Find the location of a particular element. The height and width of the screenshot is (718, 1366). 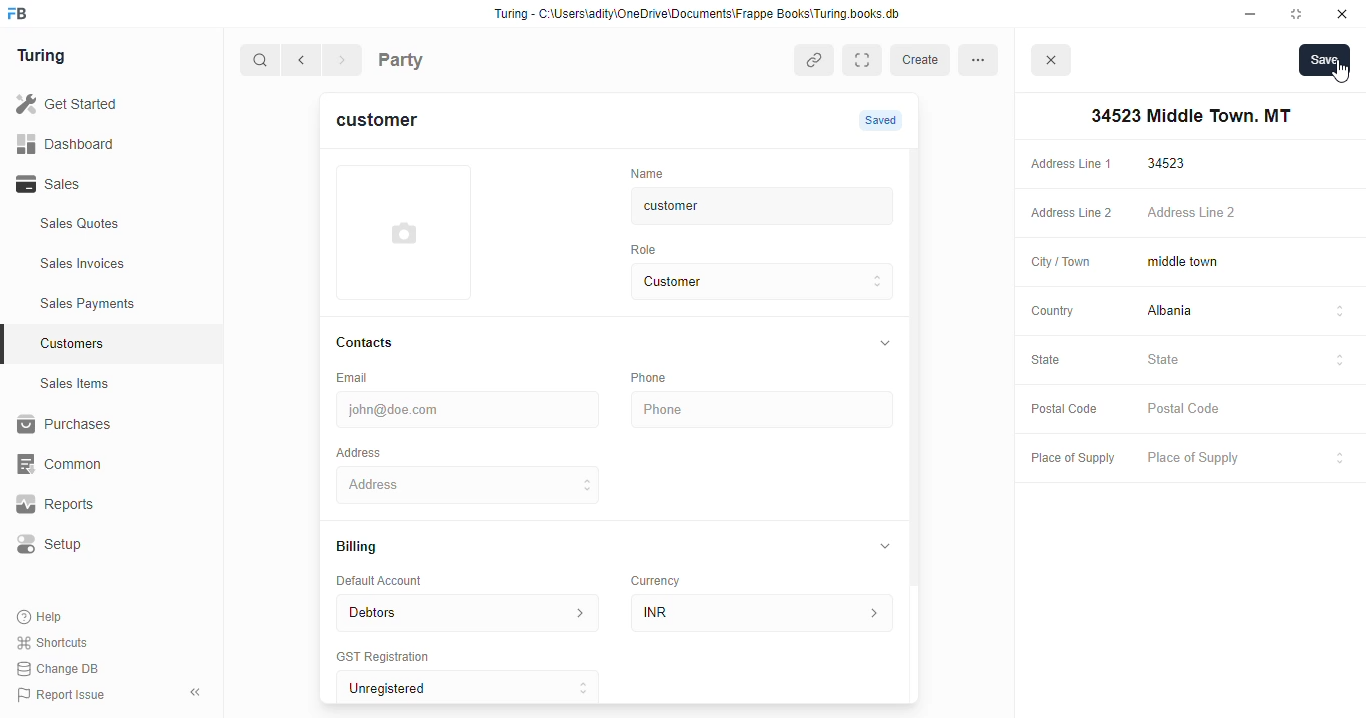

Country is located at coordinates (1051, 310).